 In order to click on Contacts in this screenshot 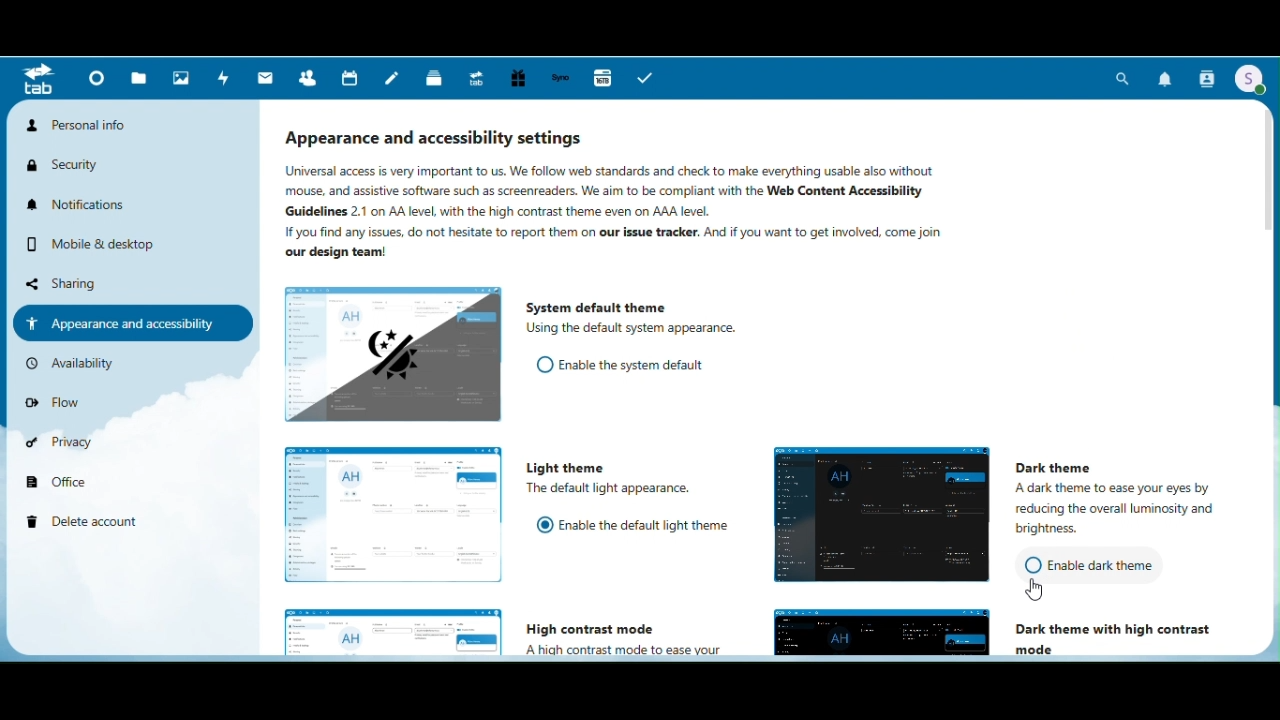, I will do `click(310, 78)`.